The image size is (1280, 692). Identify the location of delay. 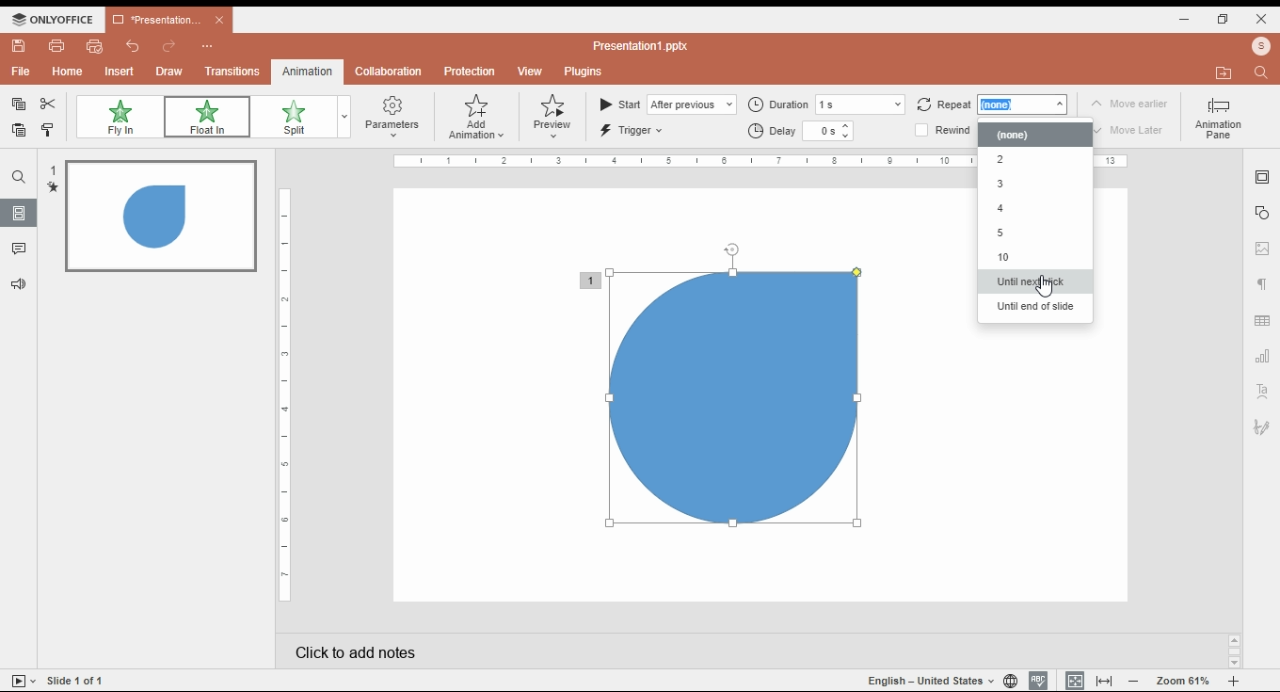
(801, 131).